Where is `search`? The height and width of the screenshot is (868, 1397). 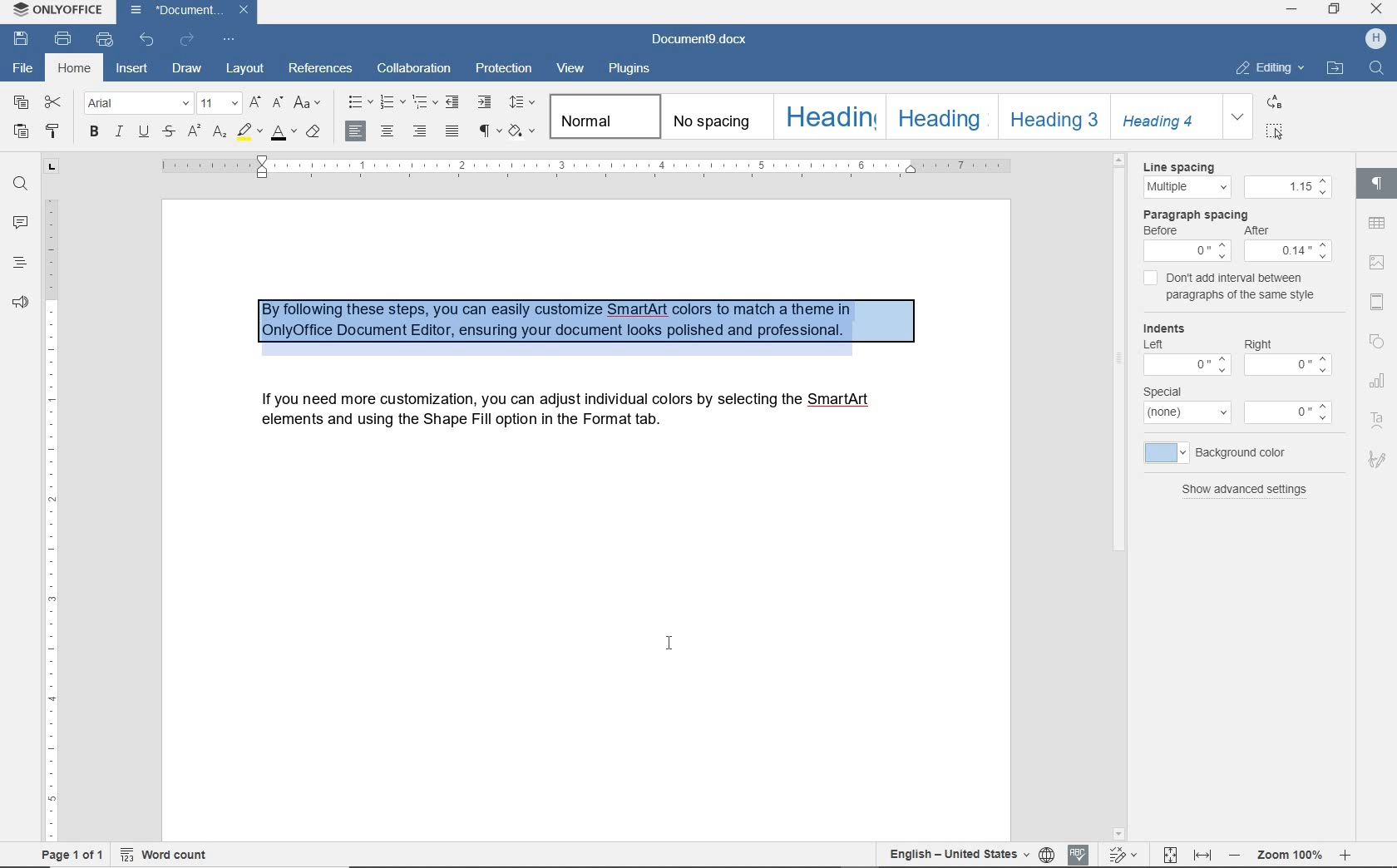
search is located at coordinates (1373, 71).